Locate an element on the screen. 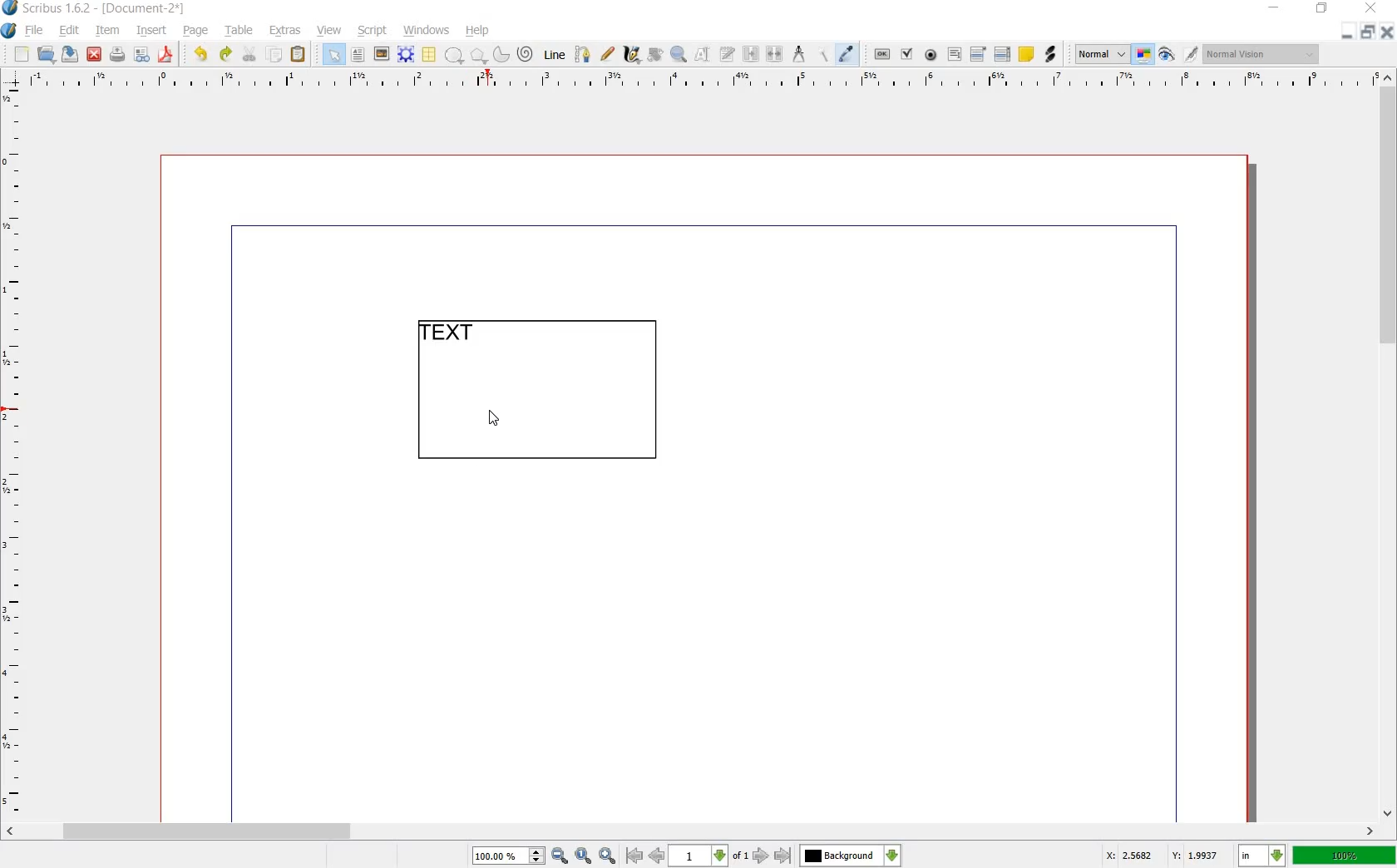 The width and height of the screenshot is (1397, 868). ruler is located at coordinates (696, 81).